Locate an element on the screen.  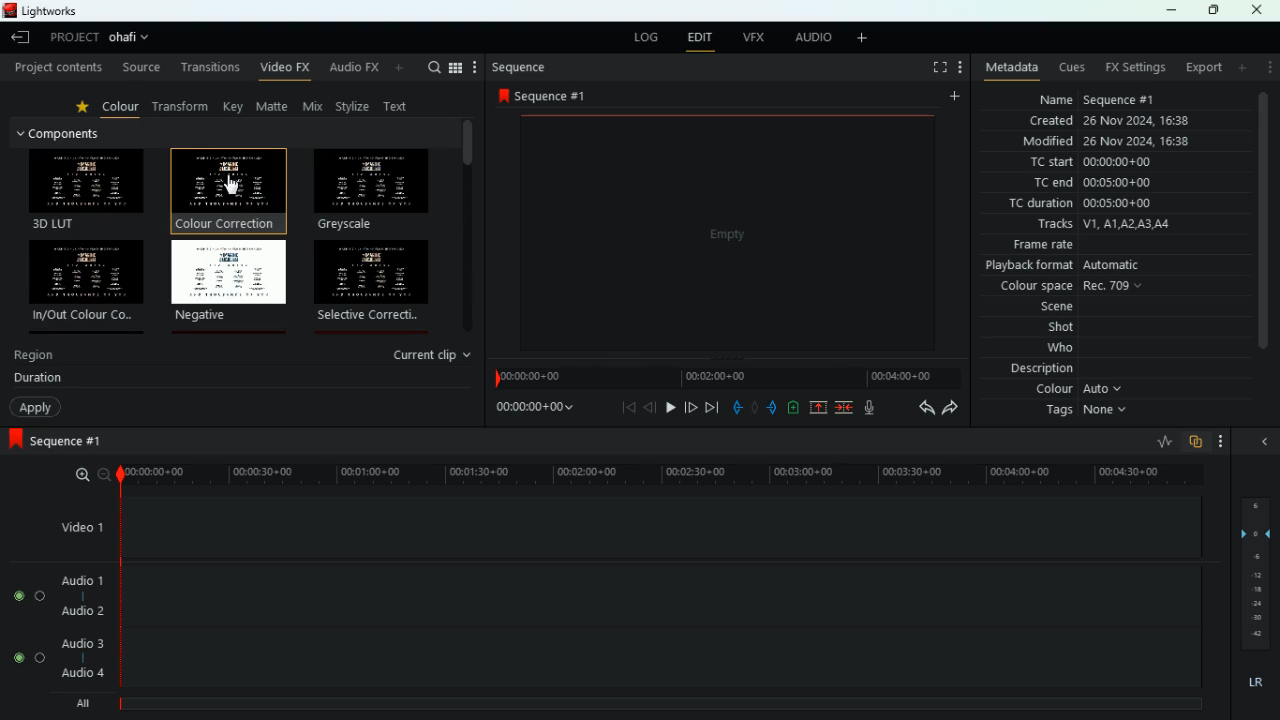
zoom out is located at coordinates (103, 474).